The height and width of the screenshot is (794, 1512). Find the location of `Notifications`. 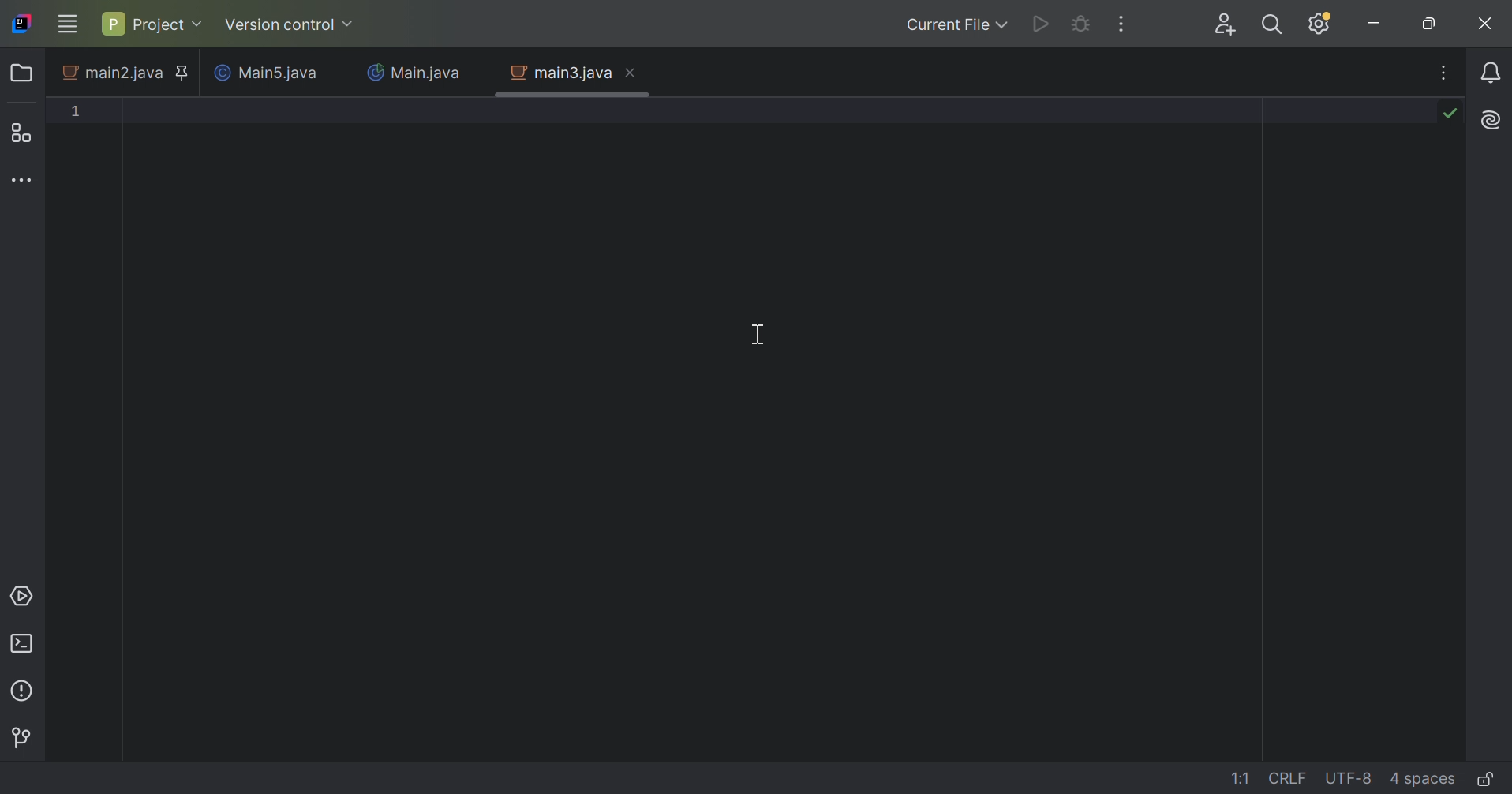

Notifications is located at coordinates (1493, 73).